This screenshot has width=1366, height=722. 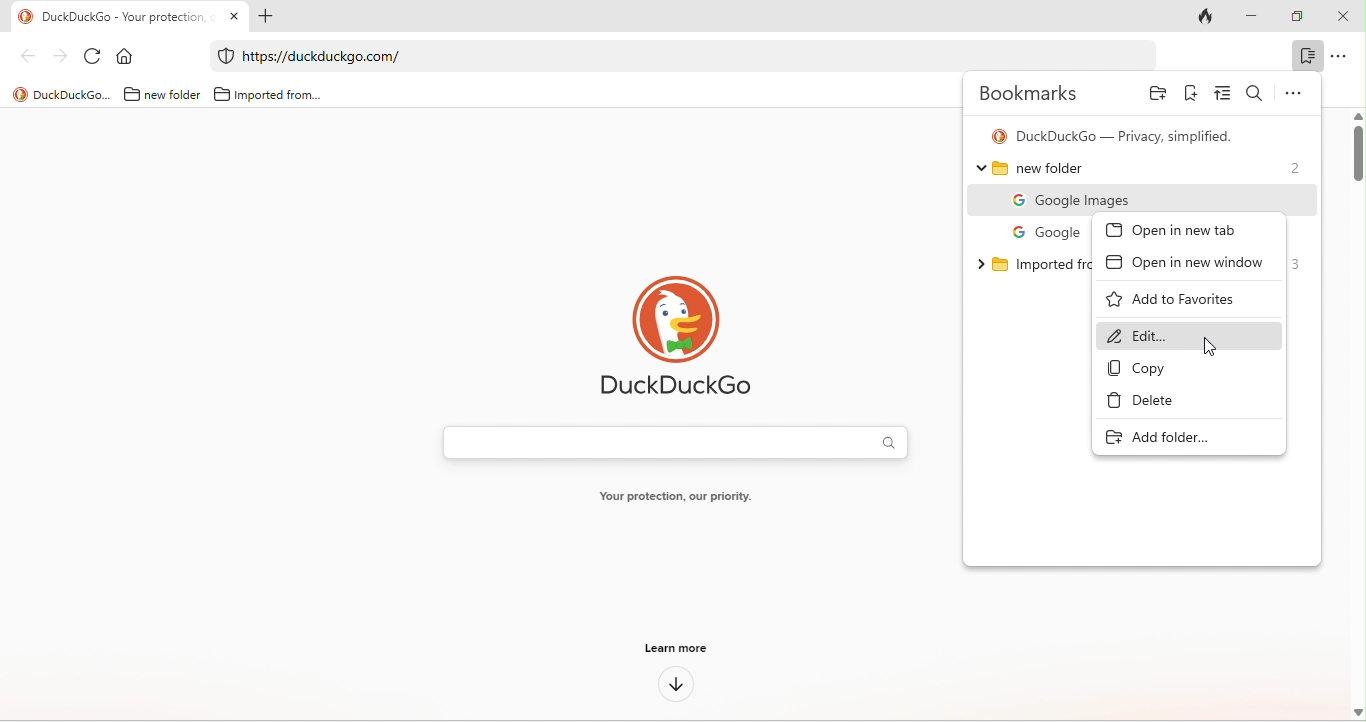 I want to click on search bar, so click(x=670, y=442).